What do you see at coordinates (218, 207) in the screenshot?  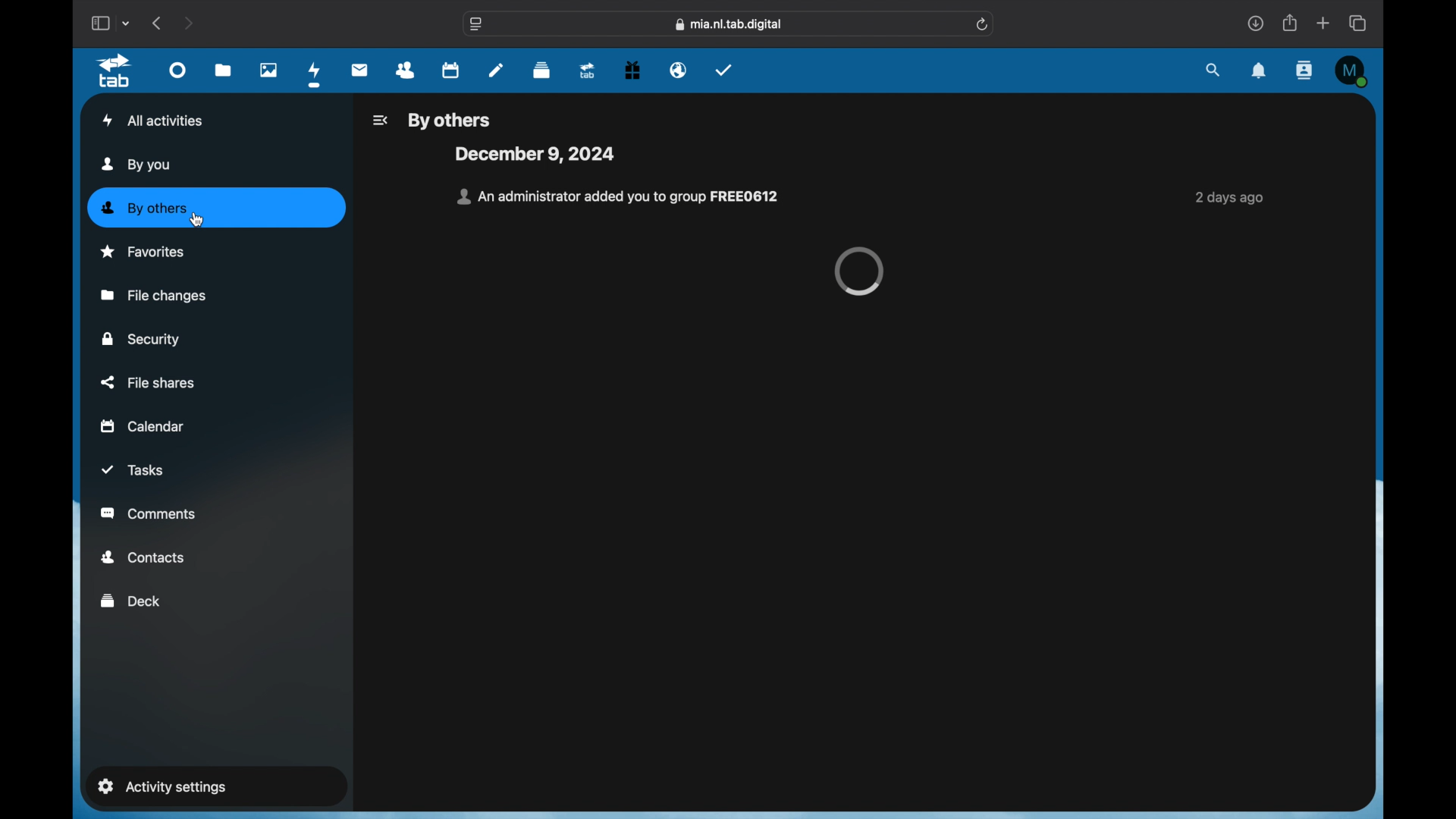 I see `by other` at bounding box center [218, 207].